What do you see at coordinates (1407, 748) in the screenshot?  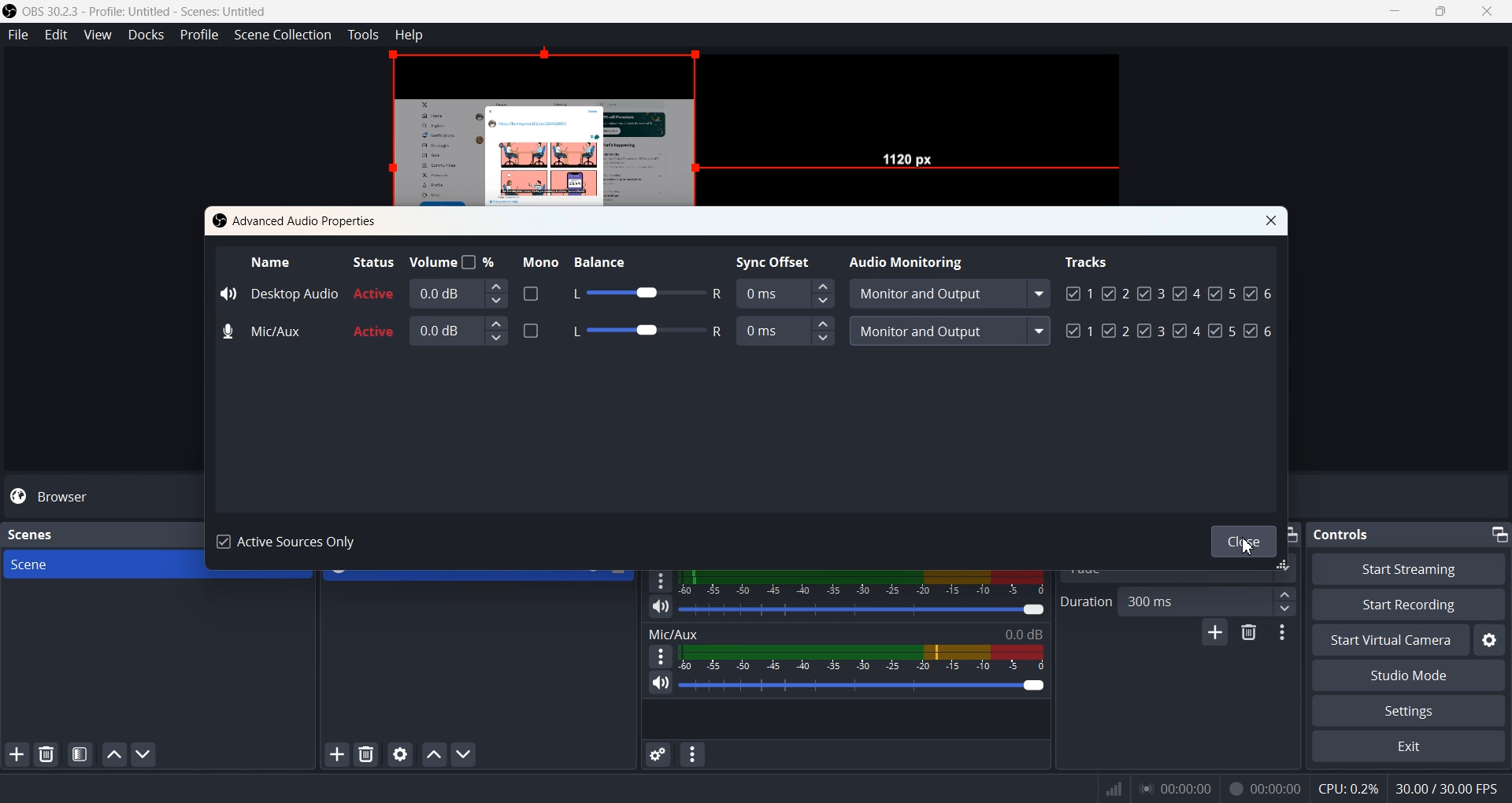 I see `Exit` at bounding box center [1407, 748].